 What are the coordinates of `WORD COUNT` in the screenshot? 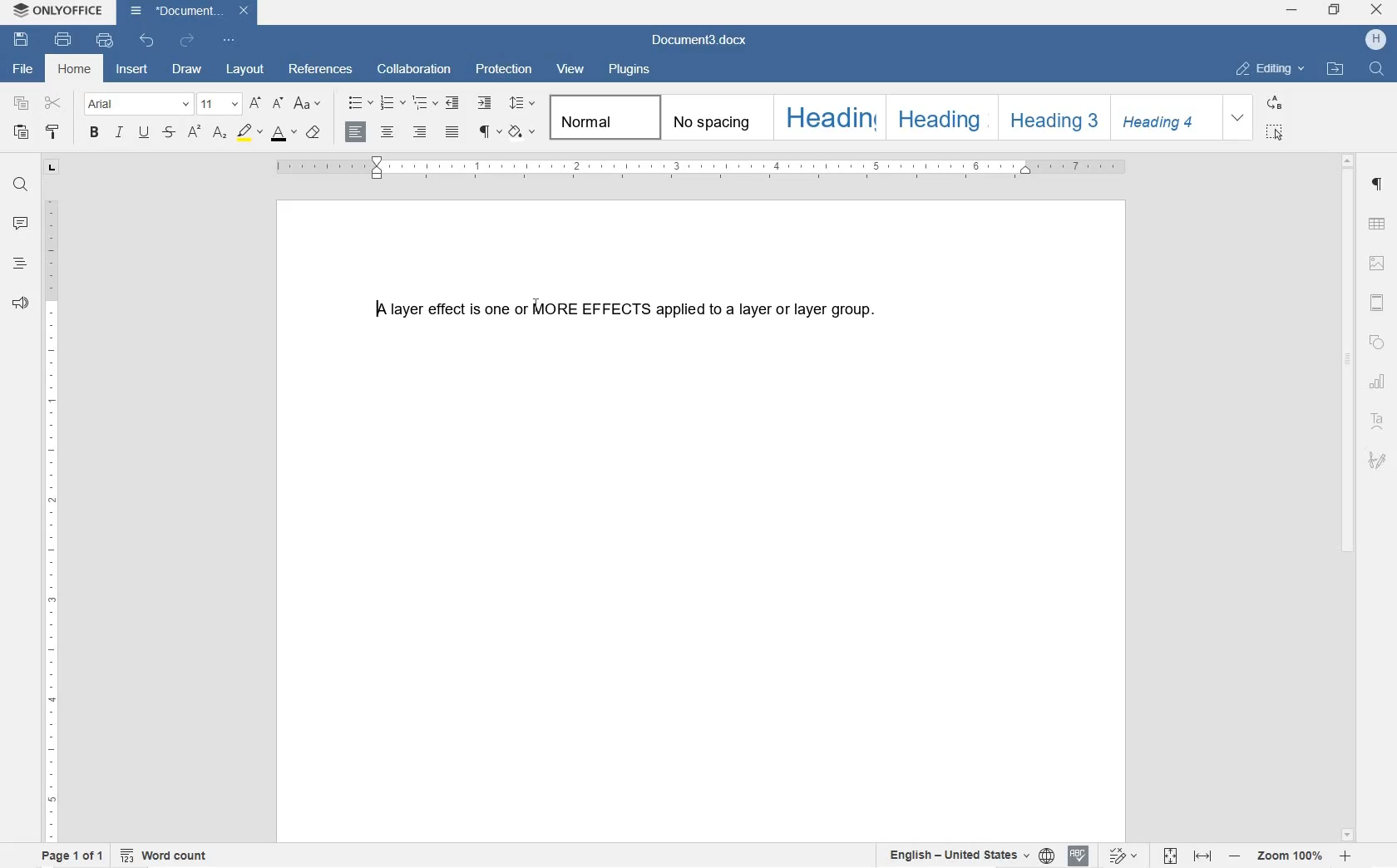 It's located at (164, 856).